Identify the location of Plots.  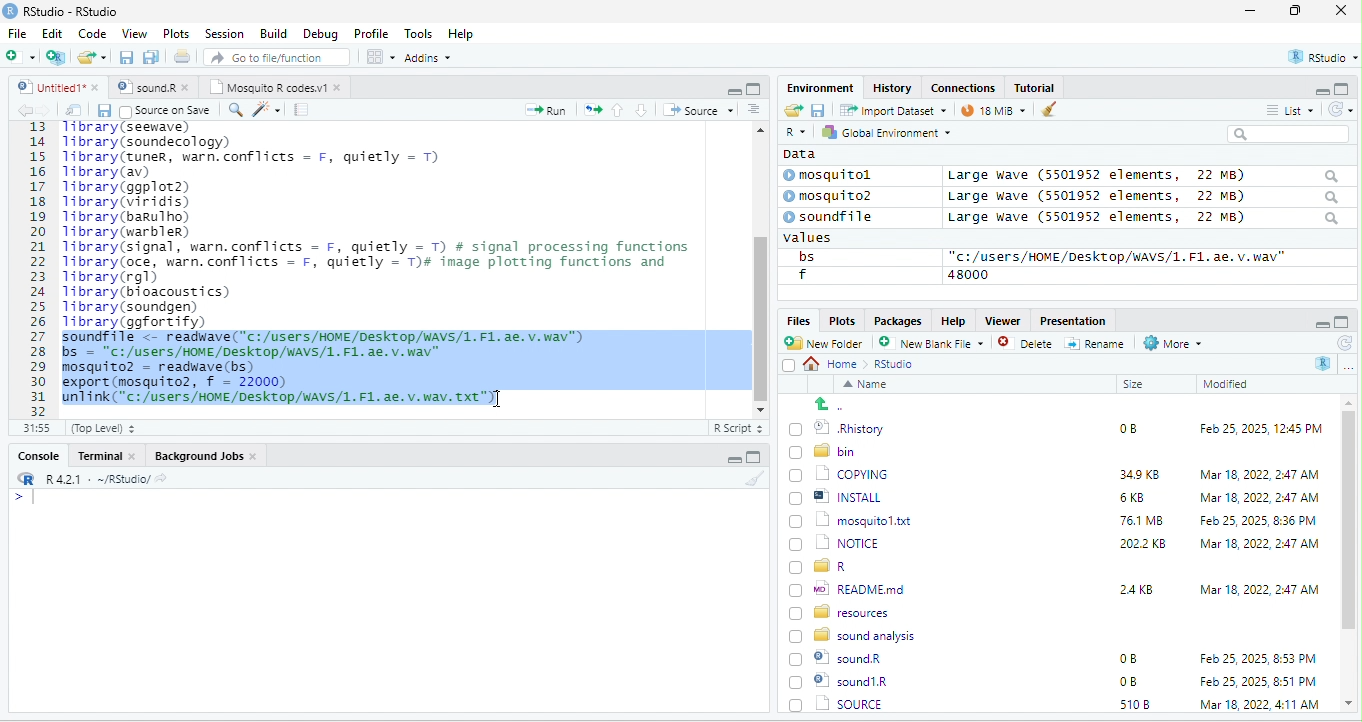
(842, 320).